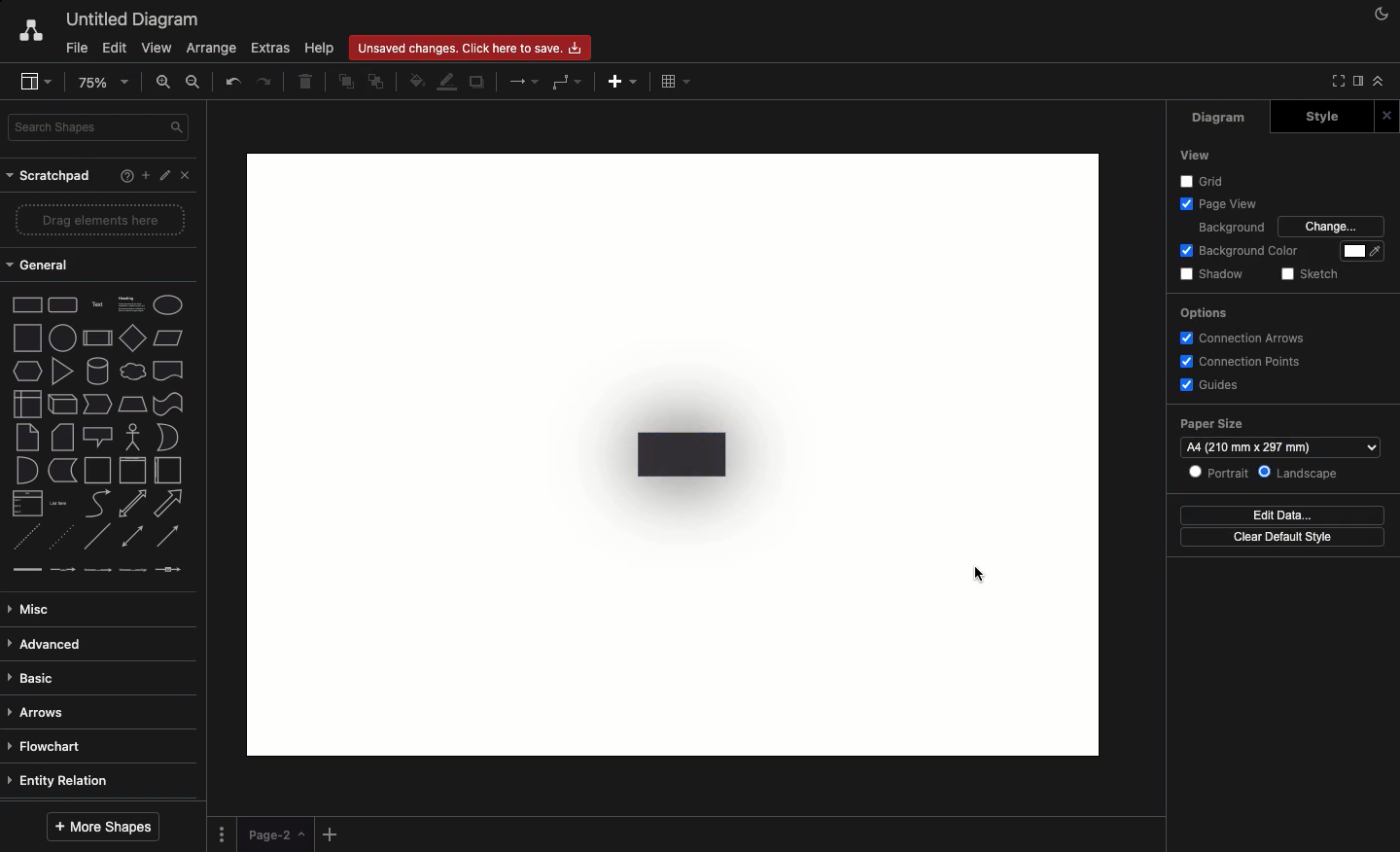  What do you see at coordinates (168, 371) in the screenshot?
I see `document ` at bounding box center [168, 371].